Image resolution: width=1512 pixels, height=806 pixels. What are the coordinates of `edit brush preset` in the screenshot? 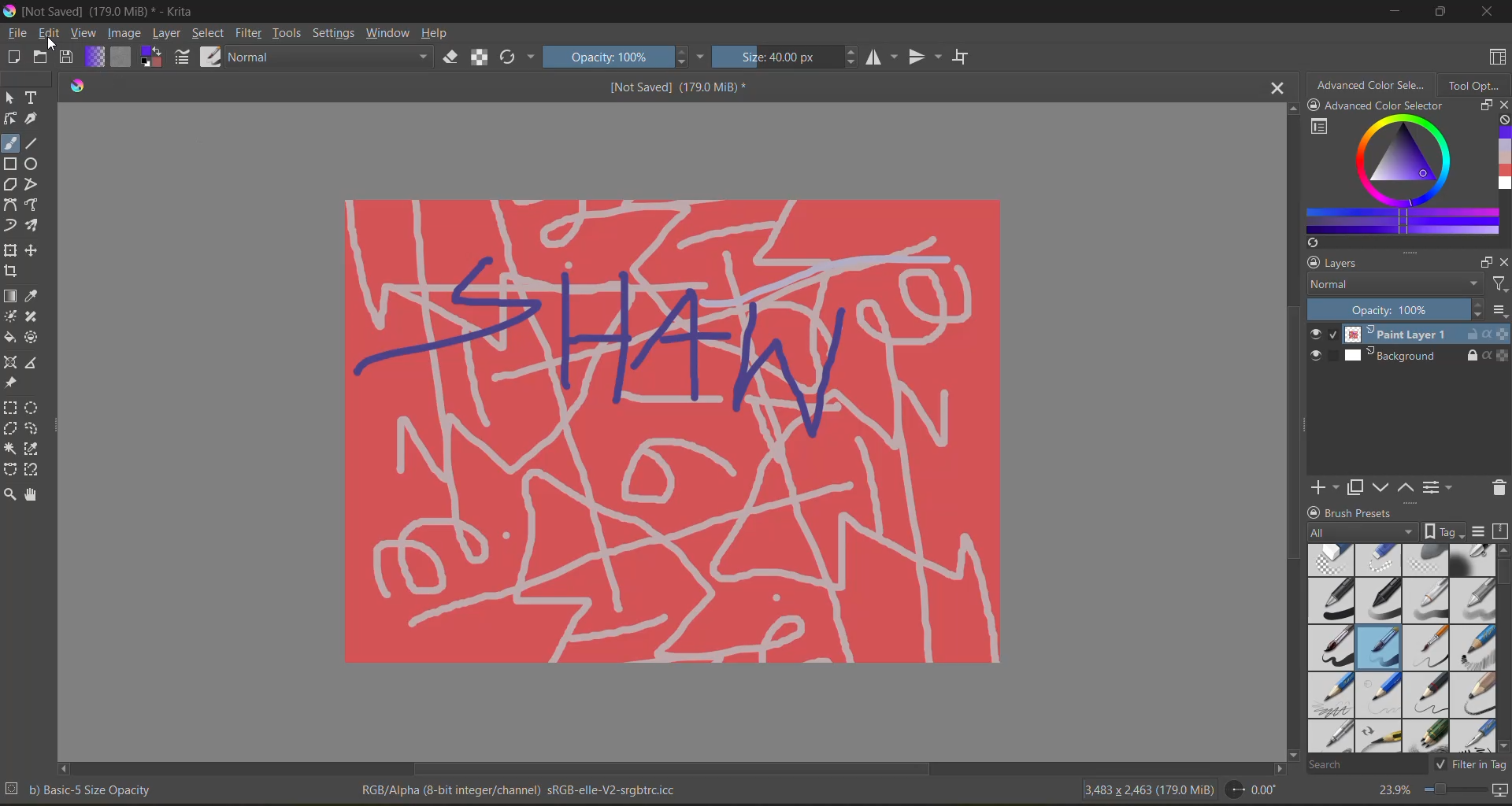 It's located at (185, 59).